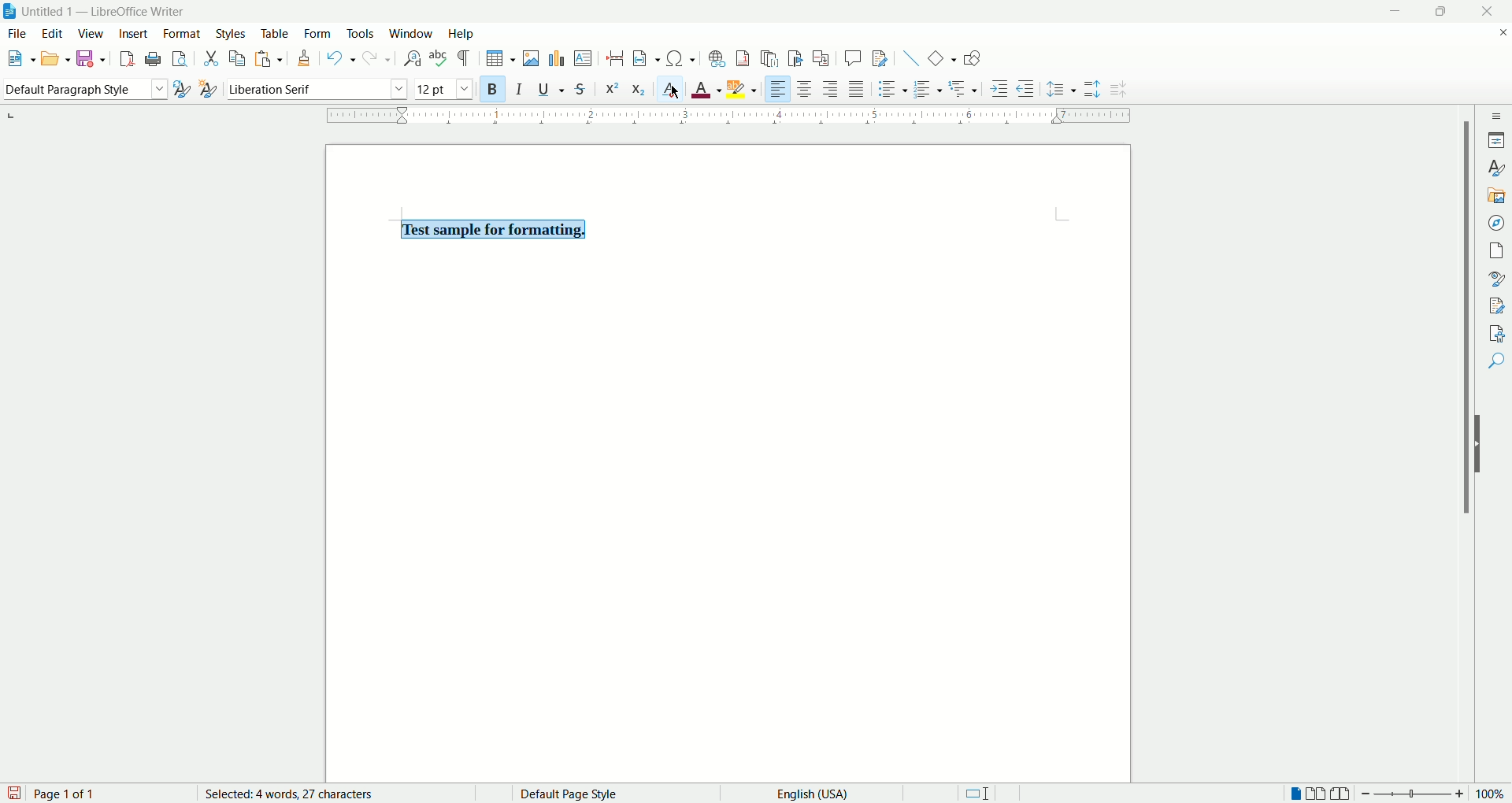  What do you see at coordinates (495, 88) in the screenshot?
I see `bold` at bounding box center [495, 88].